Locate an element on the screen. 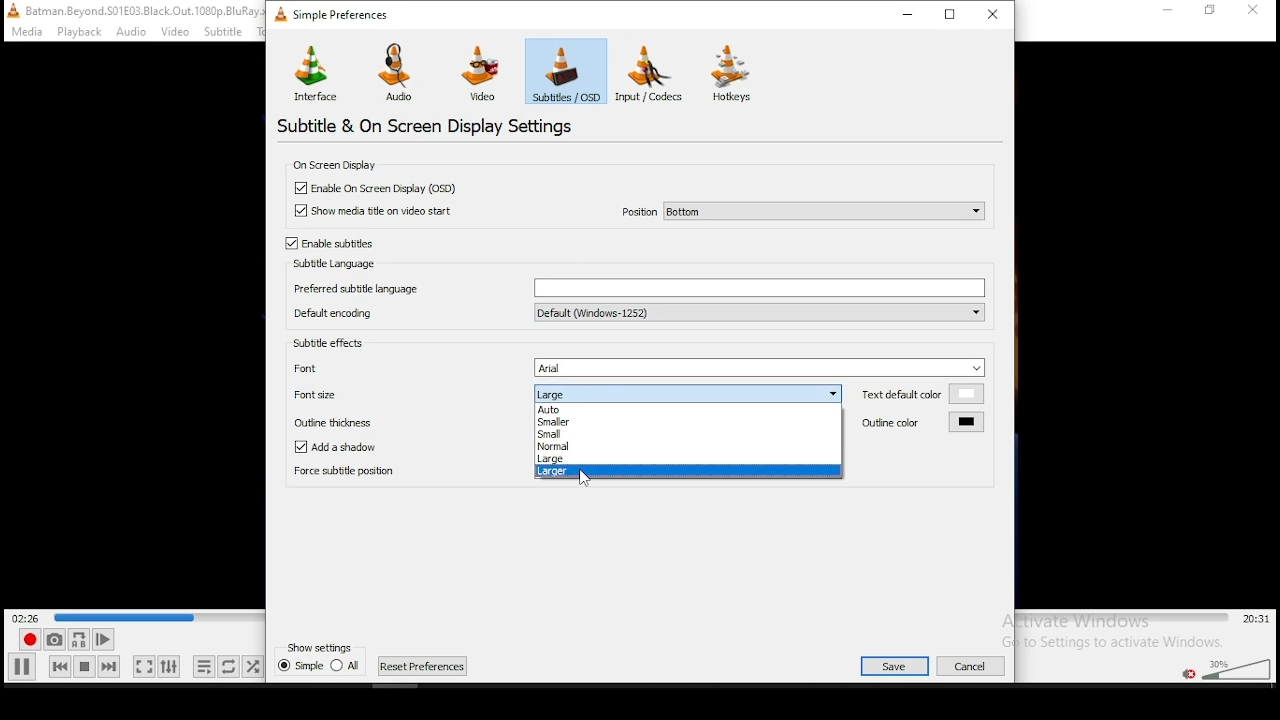 The image size is (1280, 720). hotkeys is located at coordinates (732, 72).